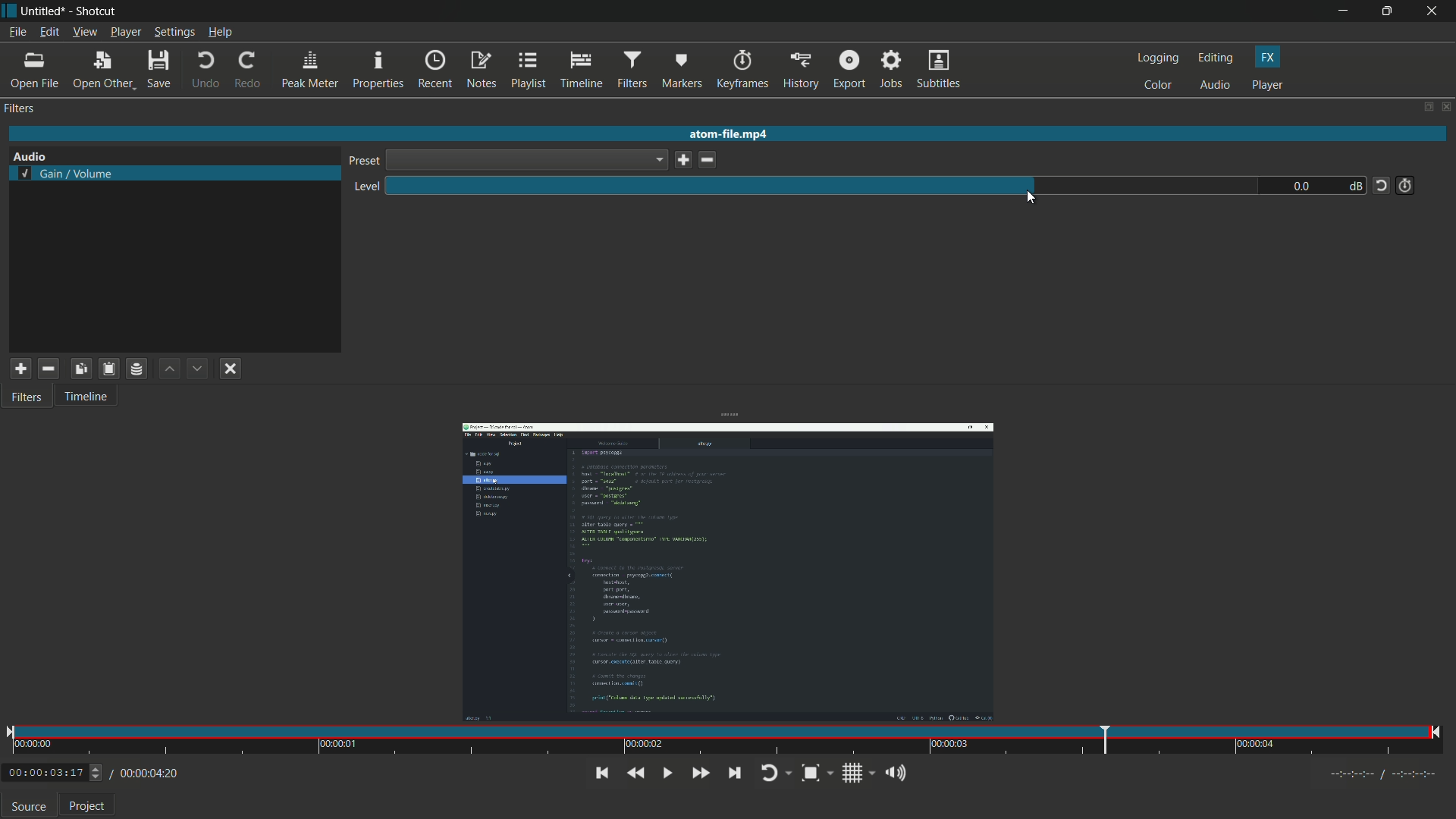 The width and height of the screenshot is (1456, 819). I want to click on editing, so click(1216, 58).